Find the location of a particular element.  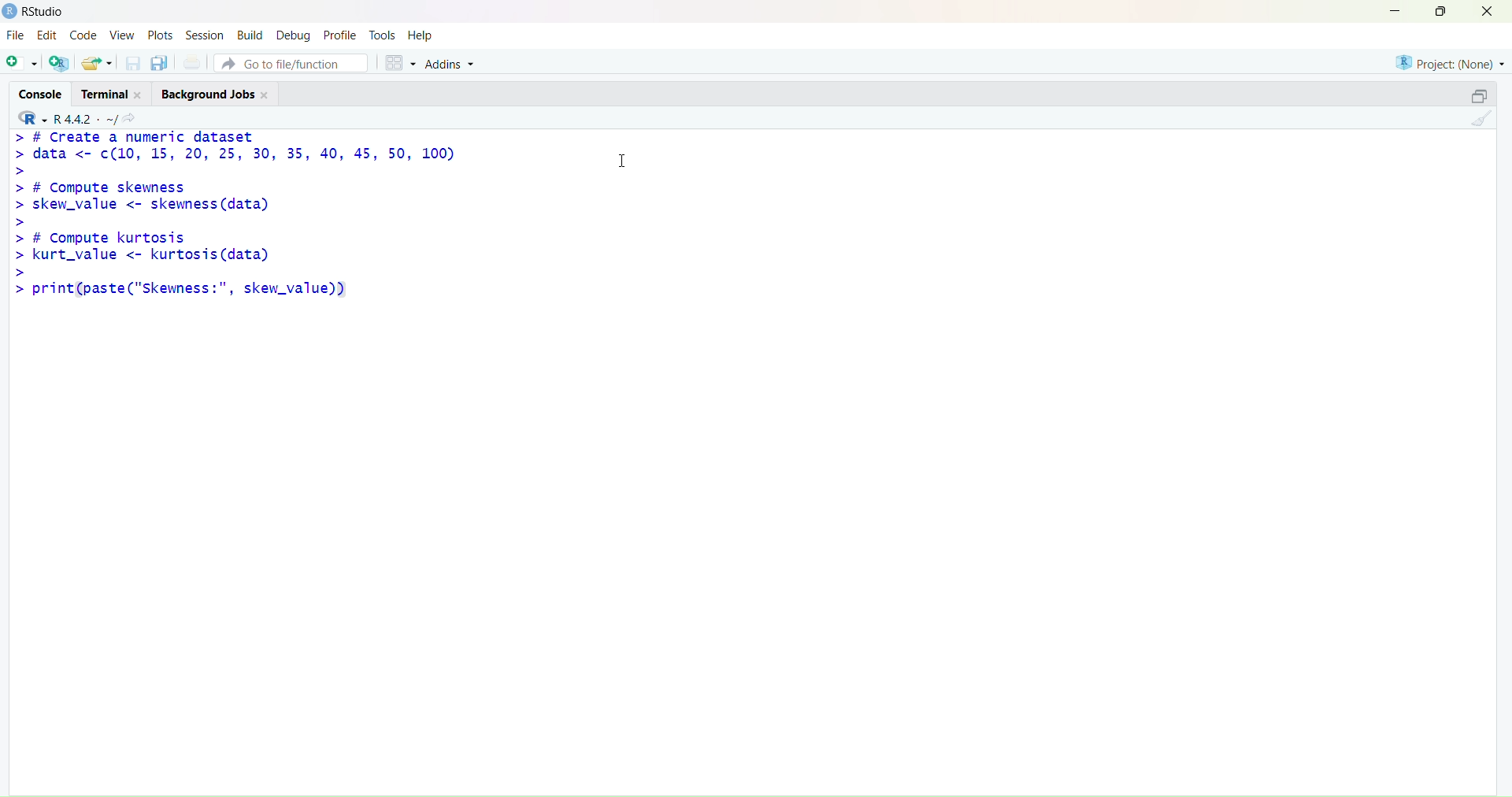

View the current working directory is located at coordinates (134, 117).